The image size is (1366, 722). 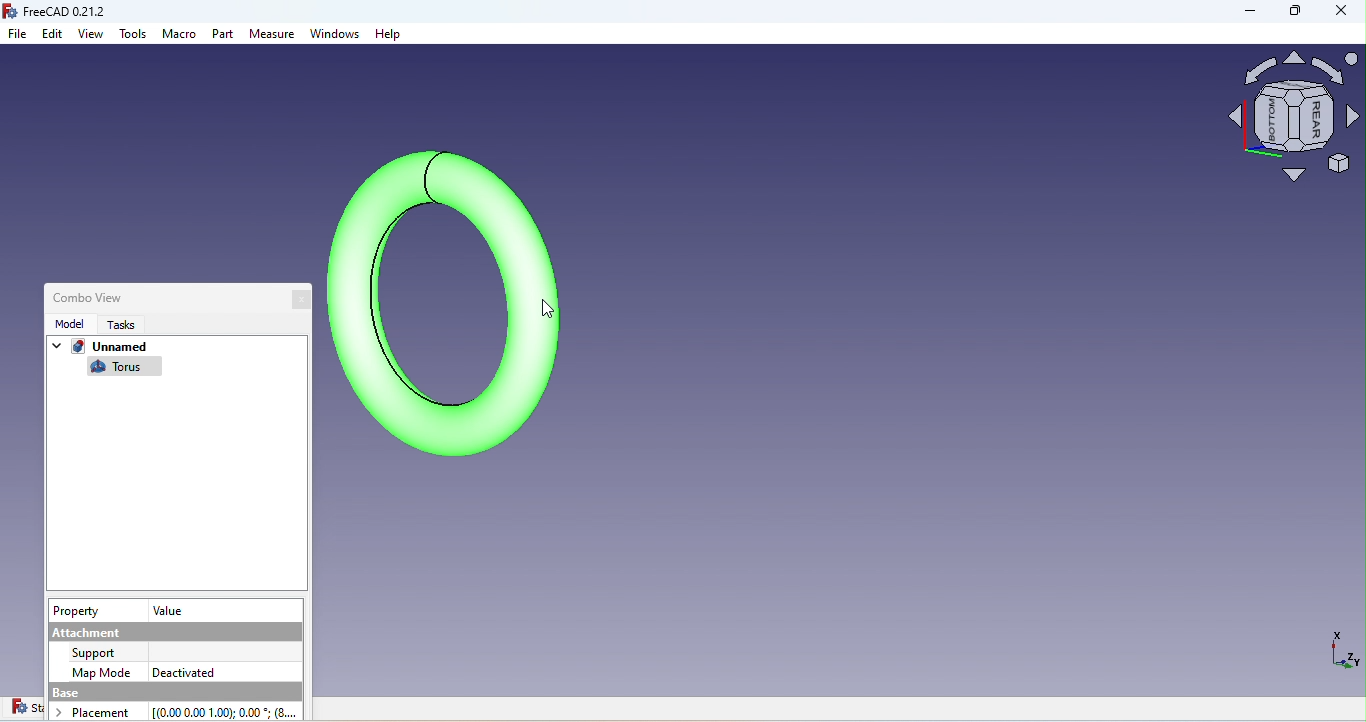 What do you see at coordinates (121, 368) in the screenshot?
I see `Torus` at bounding box center [121, 368].